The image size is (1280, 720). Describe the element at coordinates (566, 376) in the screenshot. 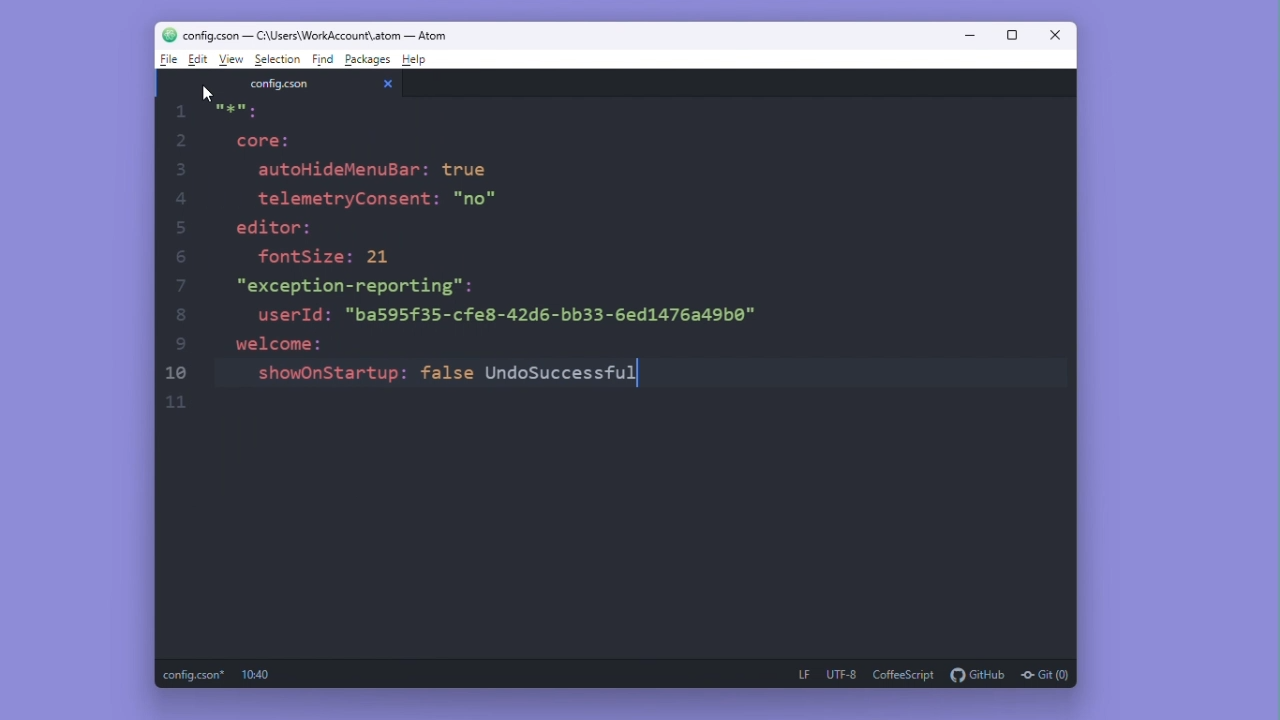

I see `unsuccessful` at that location.